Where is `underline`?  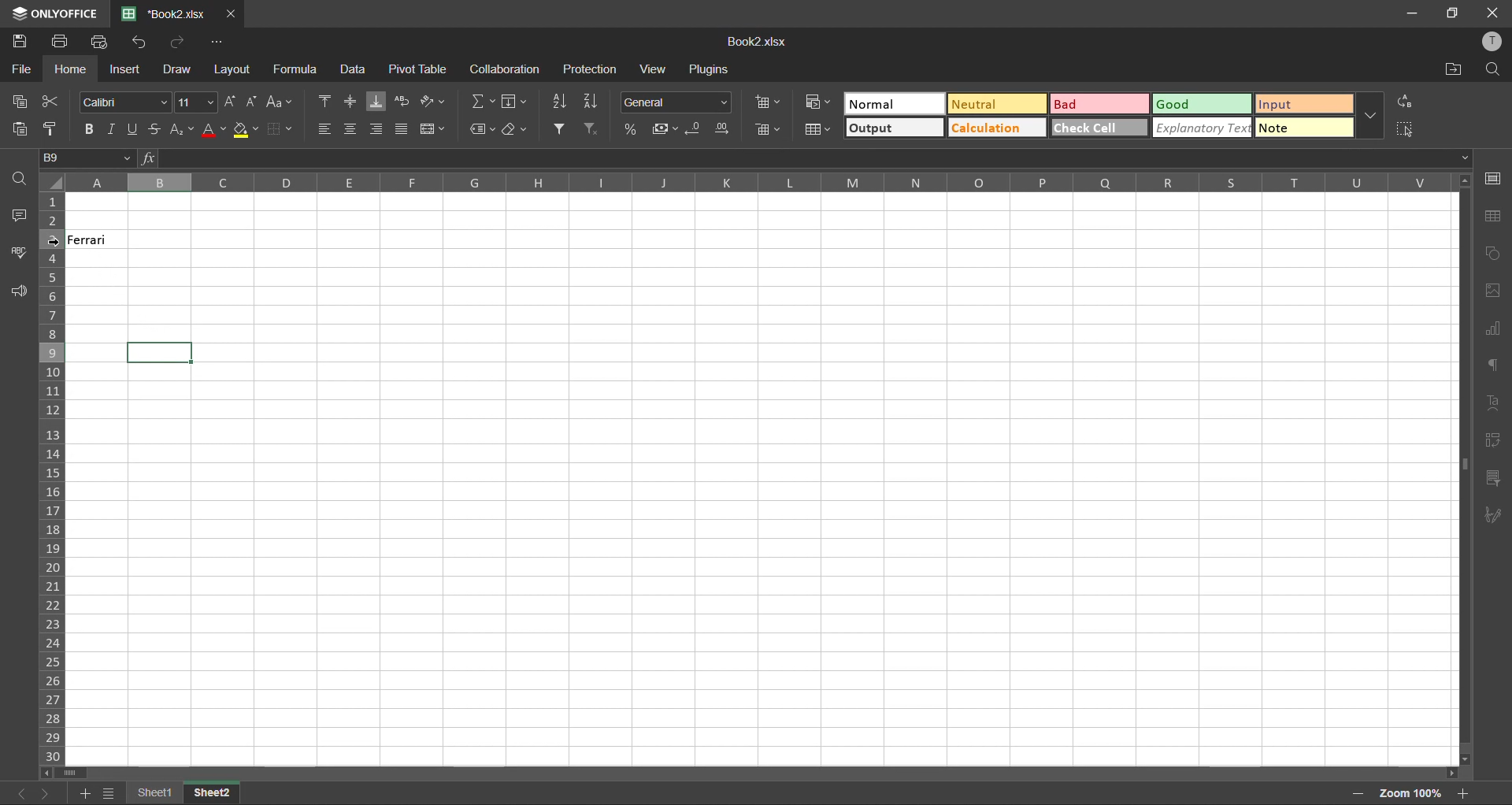 underline is located at coordinates (137, 128).